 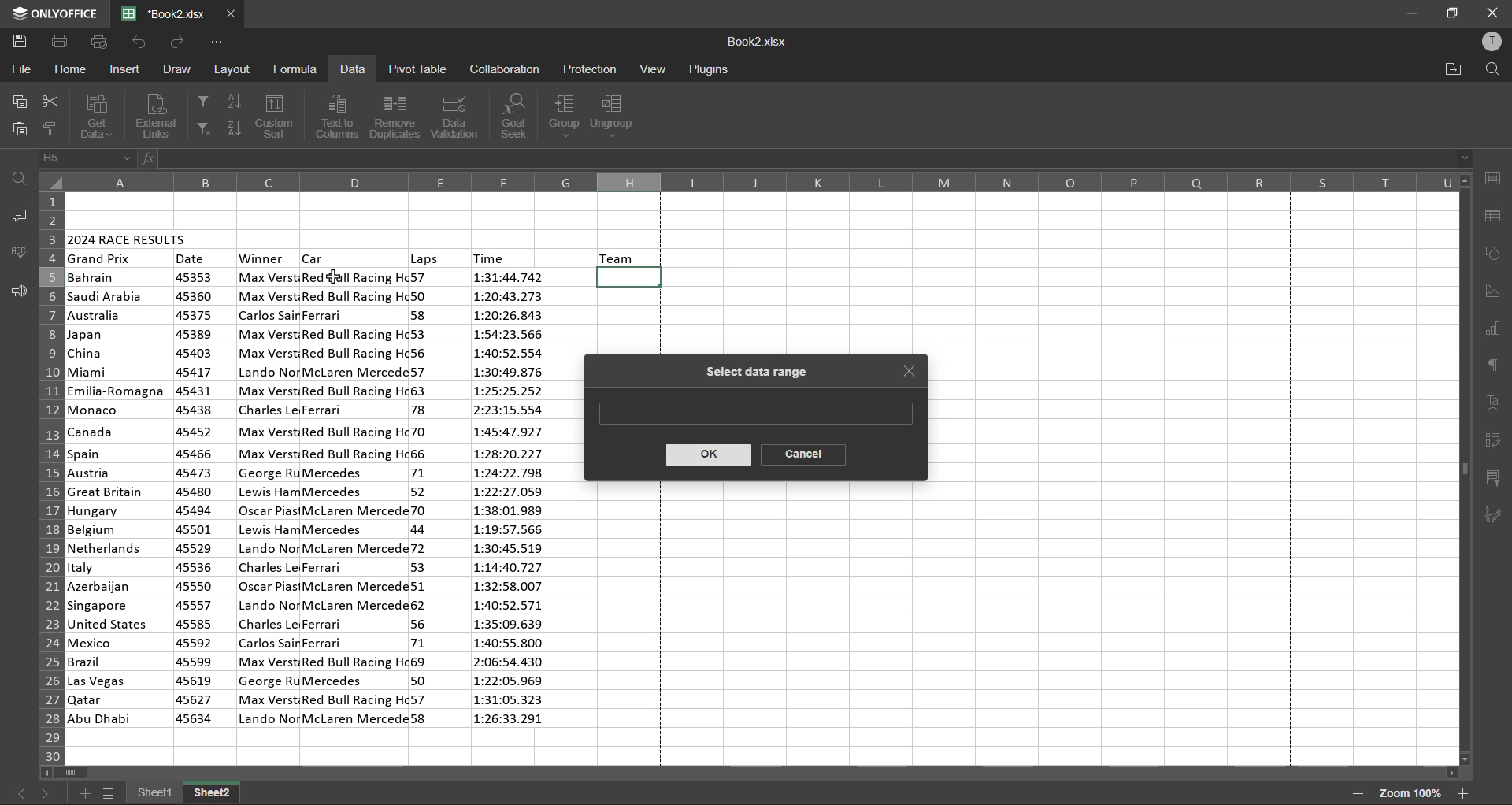 I want to click on table, so click(x=1497, y=217).